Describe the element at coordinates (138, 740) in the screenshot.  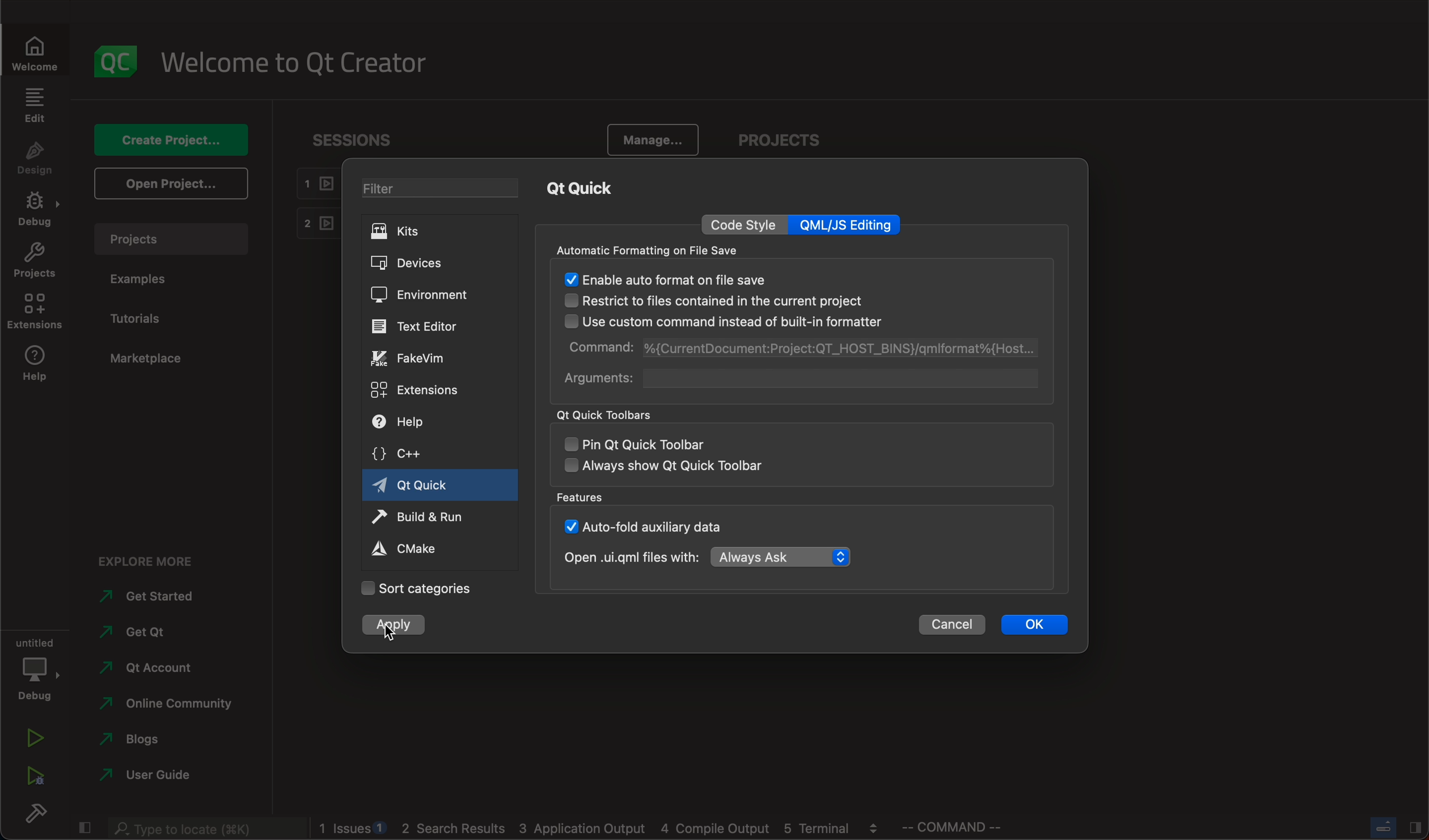
I see `blogs` at that location.